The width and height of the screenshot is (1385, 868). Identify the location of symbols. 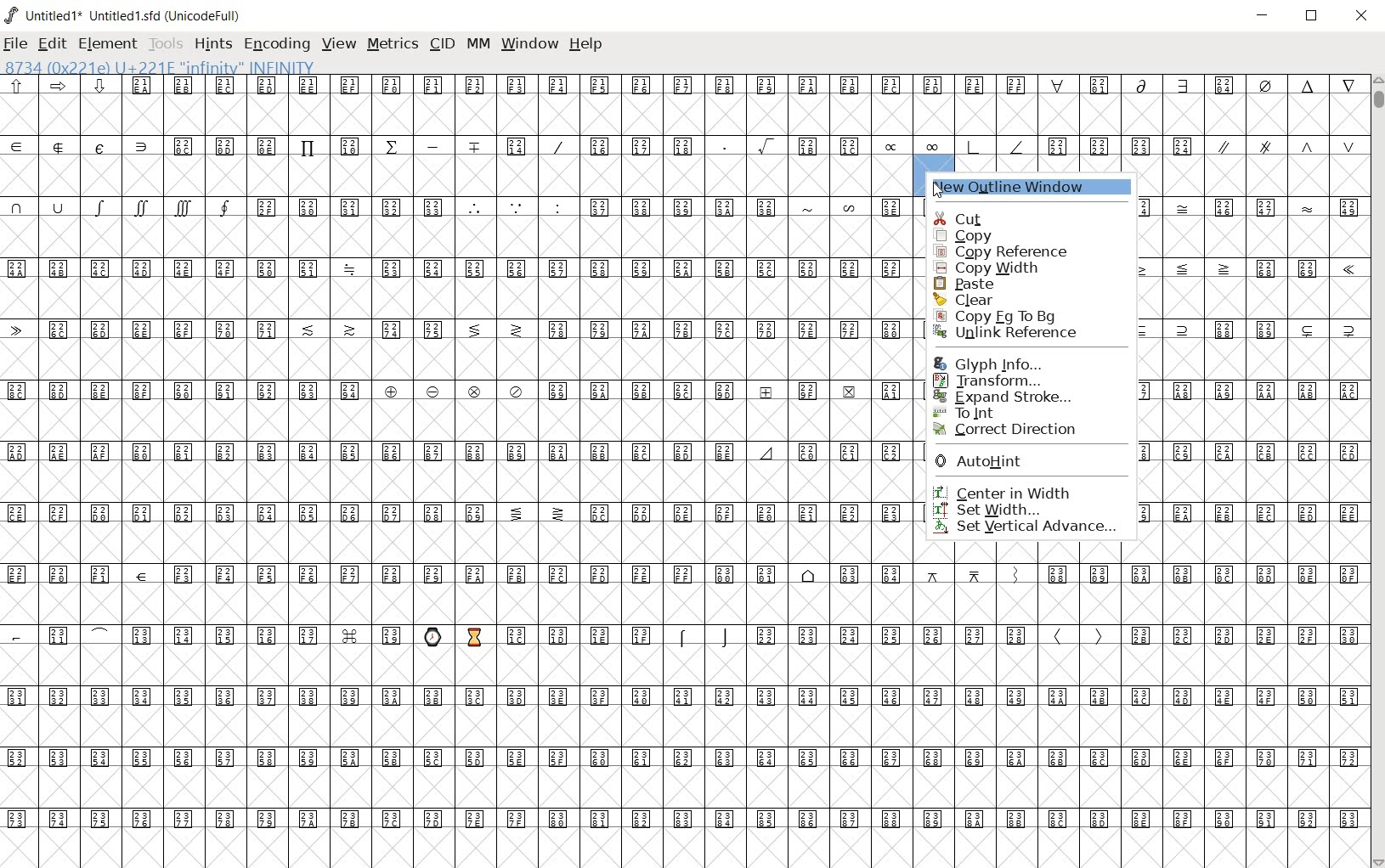
(516, 206).